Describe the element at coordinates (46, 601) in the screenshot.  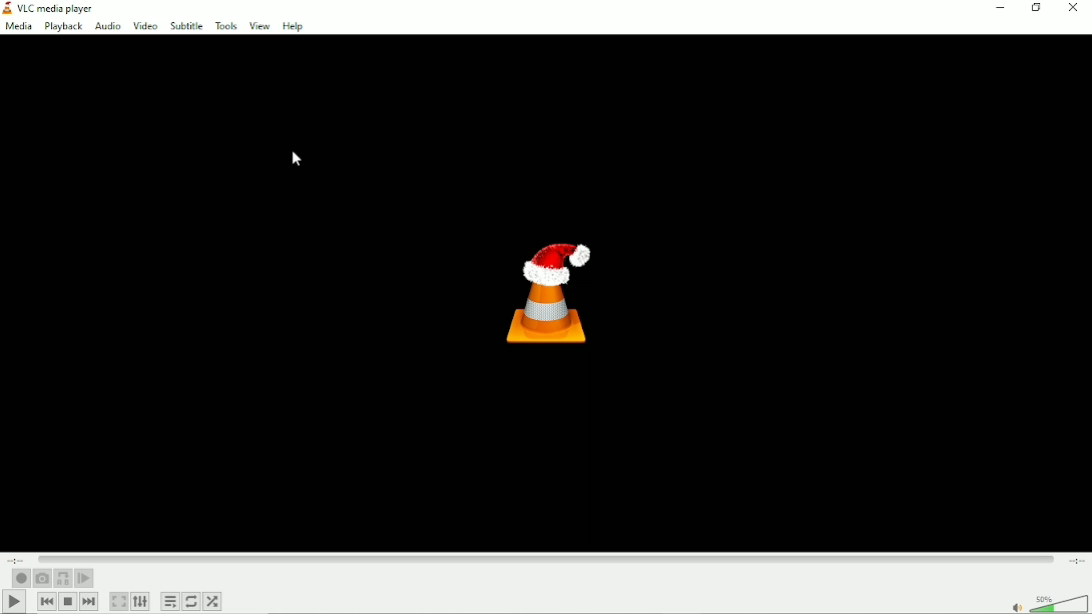
I see `Previous` at that location.